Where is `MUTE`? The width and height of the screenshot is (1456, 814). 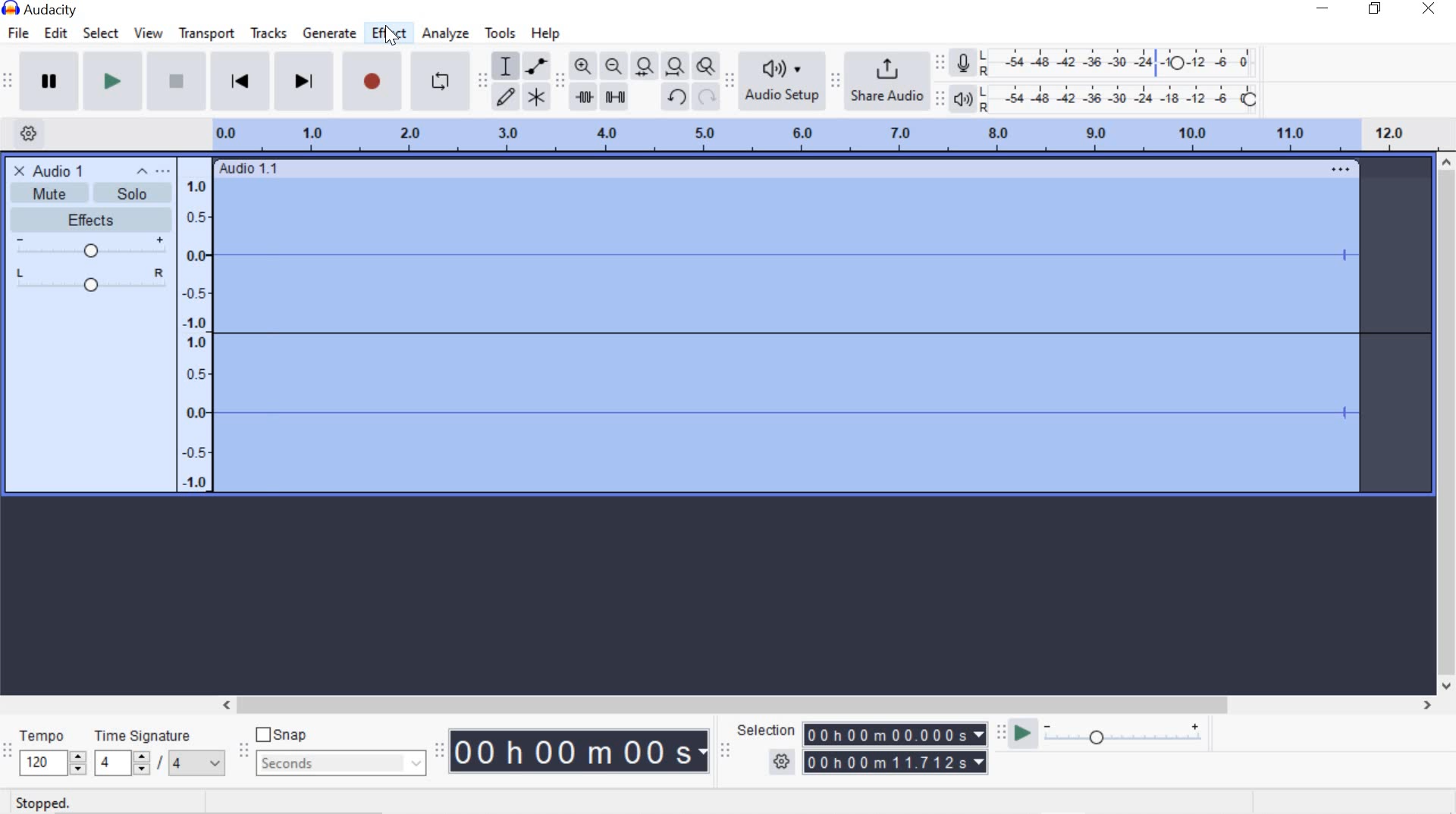
MUTE is located at coordinates (42, 196).